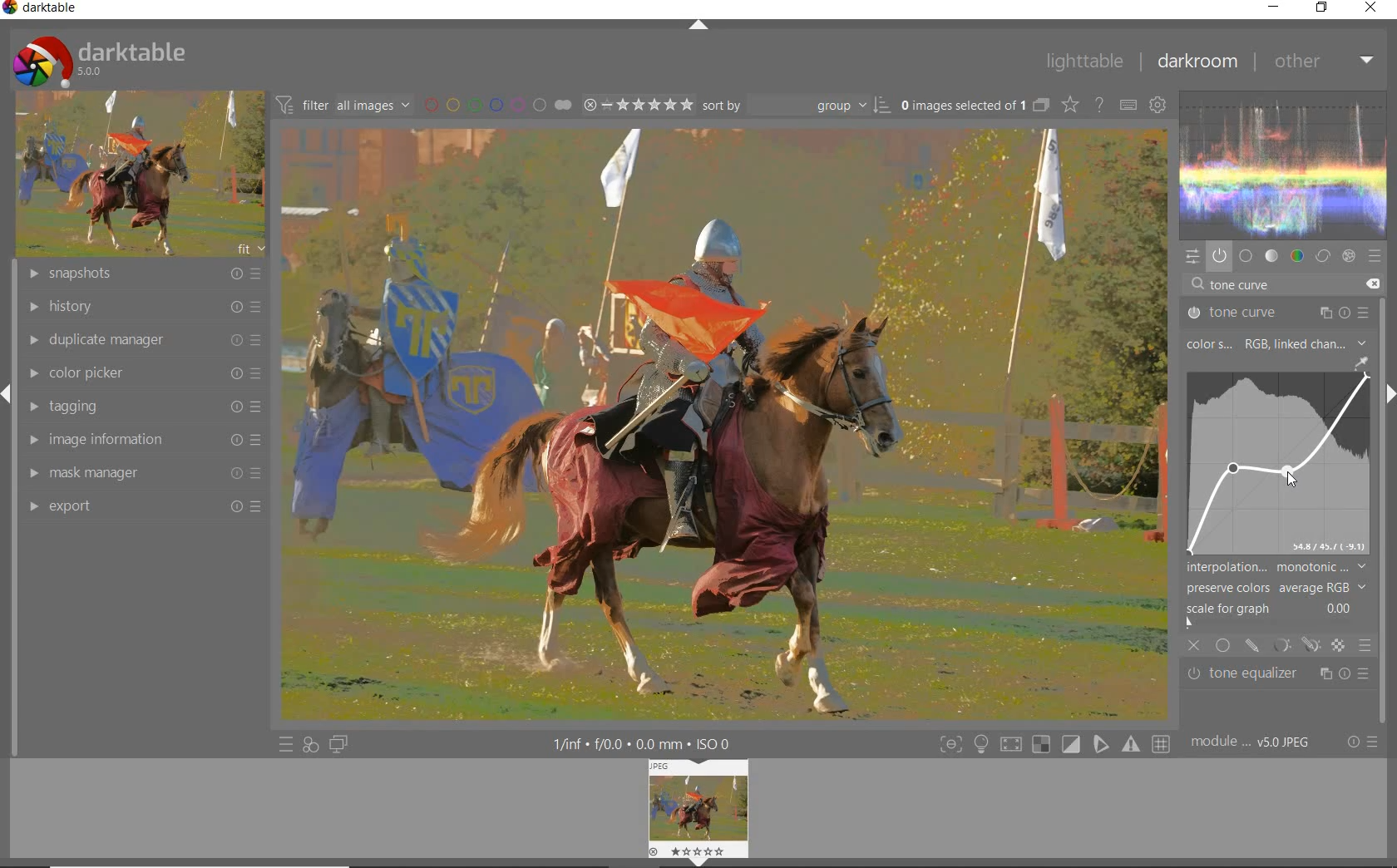  Describe the element at coordinates (1372, 8) in the screenshot. I see `close` at that location.